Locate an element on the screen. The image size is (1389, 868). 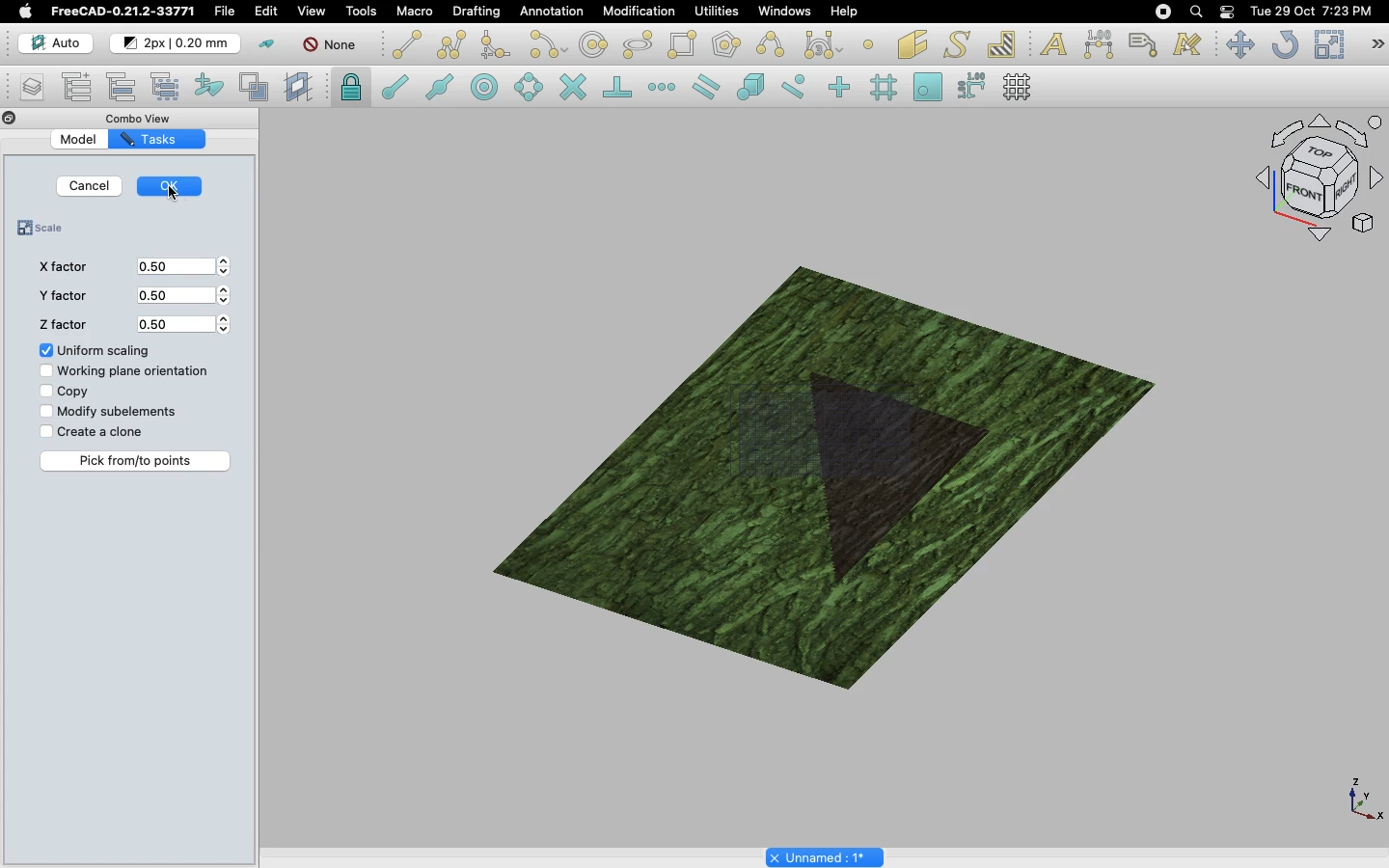
Snap midpoint is located at coordinates (437, 86).